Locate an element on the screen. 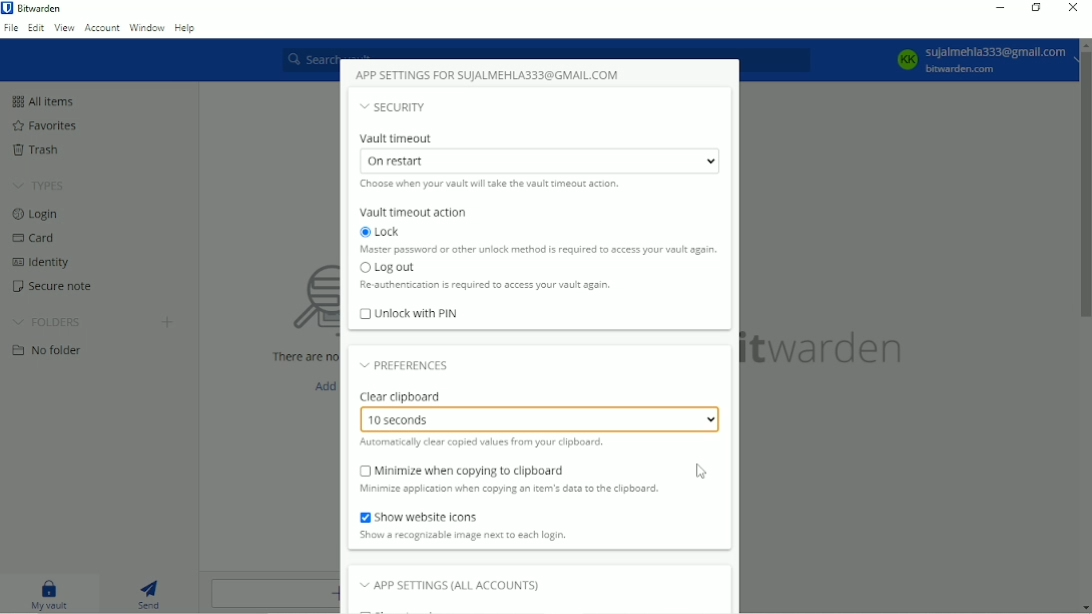 The width and height of the screenshot is (1092, 614). TYPES is located at coordinates (47, 187).